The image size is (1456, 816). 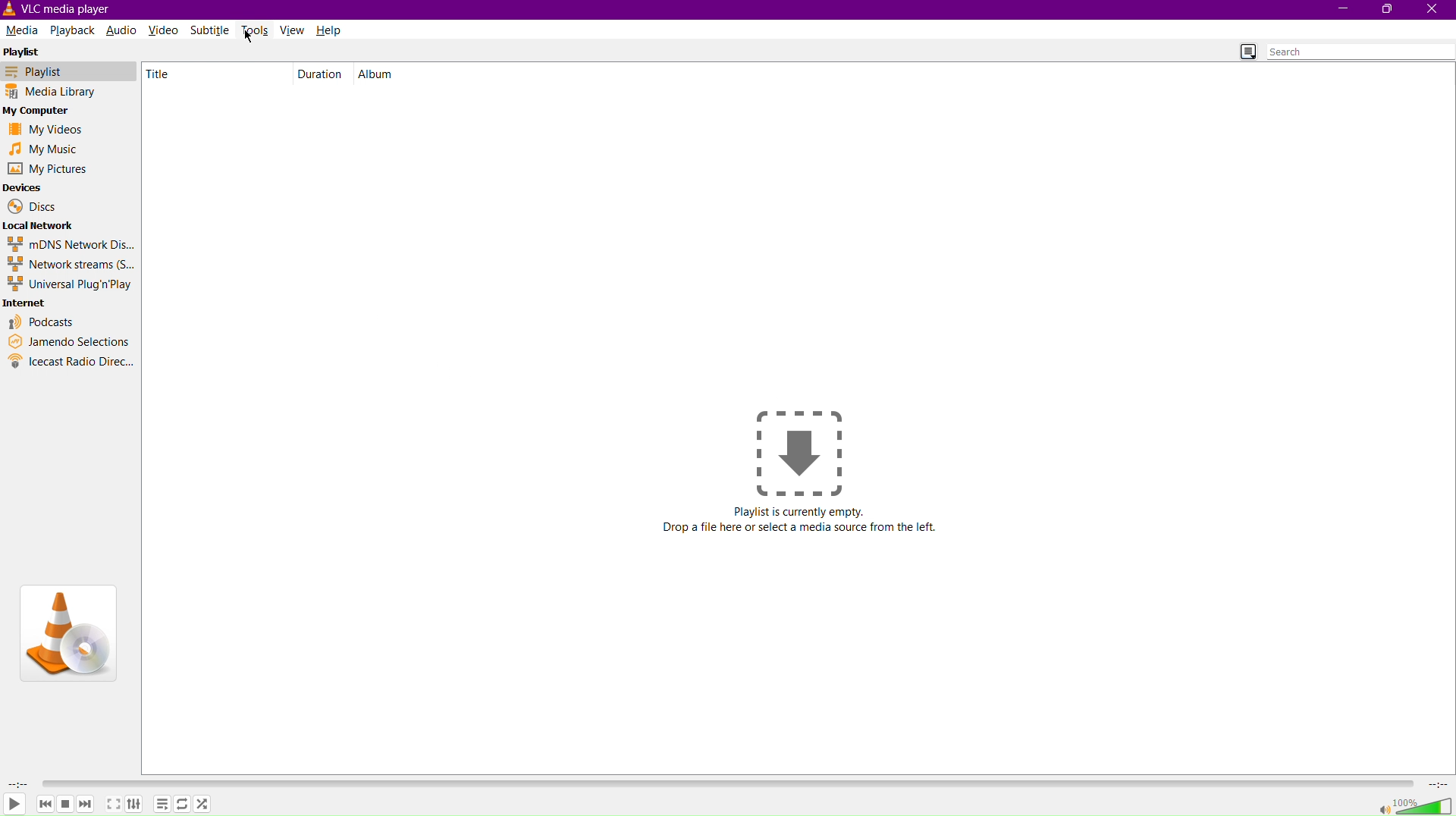 I want to click on Discs, so click(x=30, y=206).